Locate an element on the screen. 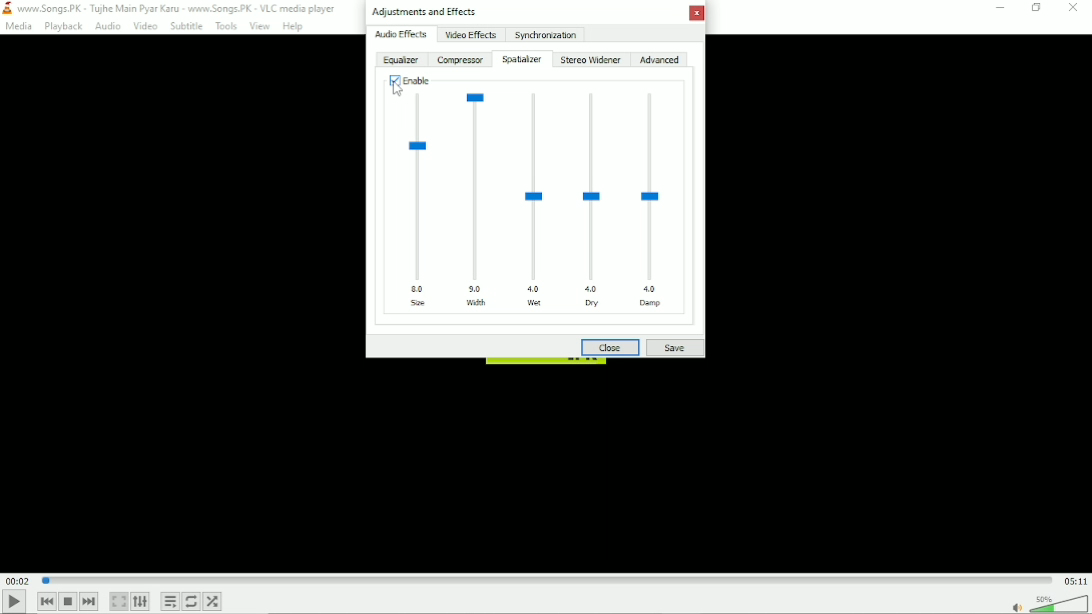 Image resolution: width=1092 pixels, height=614 pixels. Subtitle is located at coordinates (186, 26).